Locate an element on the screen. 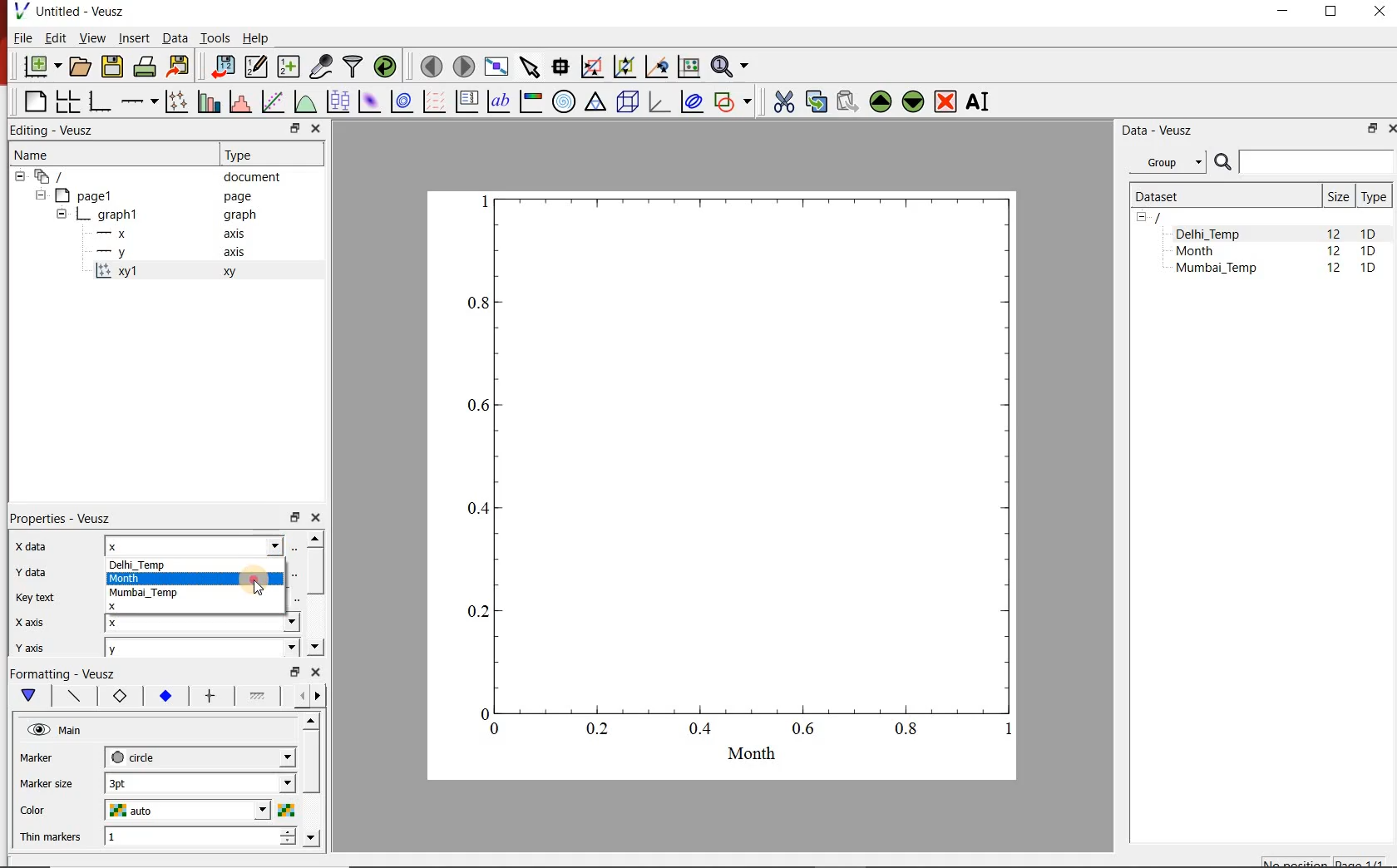 The height and width of the screenshot is (868, 1397). Data - Veusz is located at coordinates (1160, 131).